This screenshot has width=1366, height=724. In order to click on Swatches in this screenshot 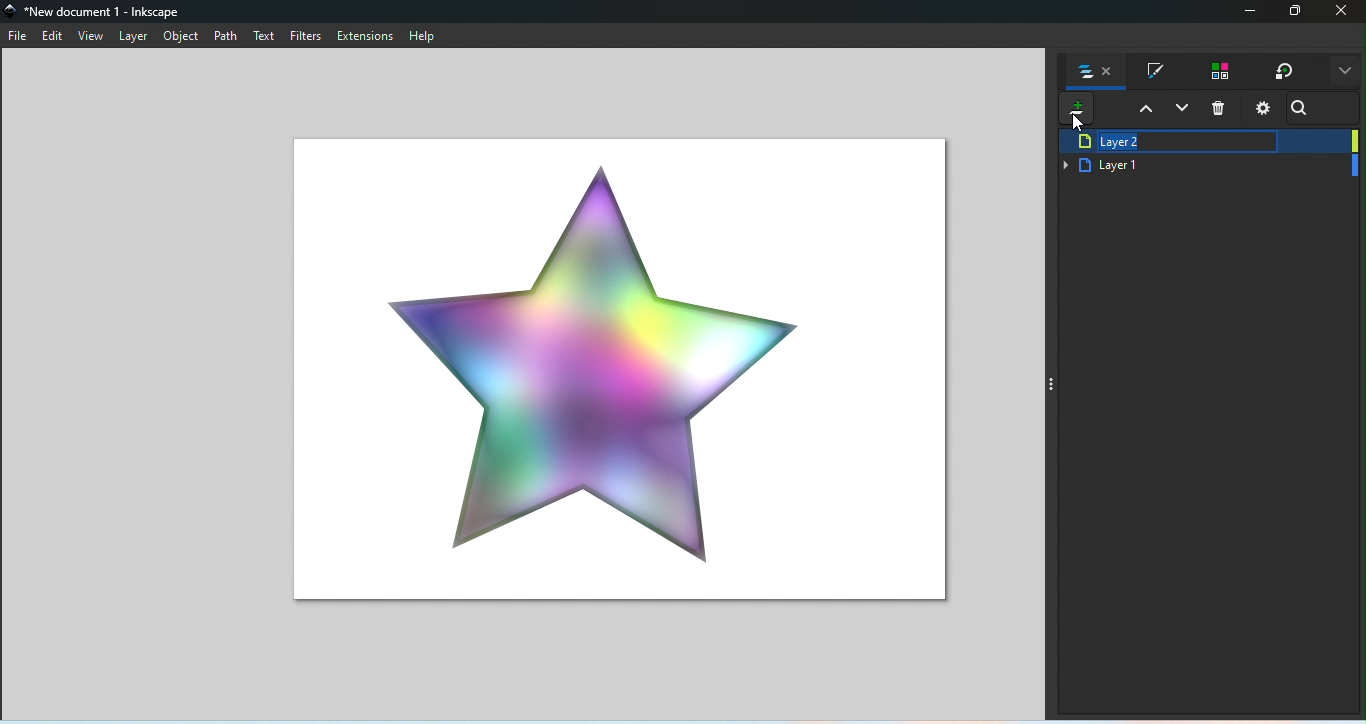, I will do `click(1217, 72)`.